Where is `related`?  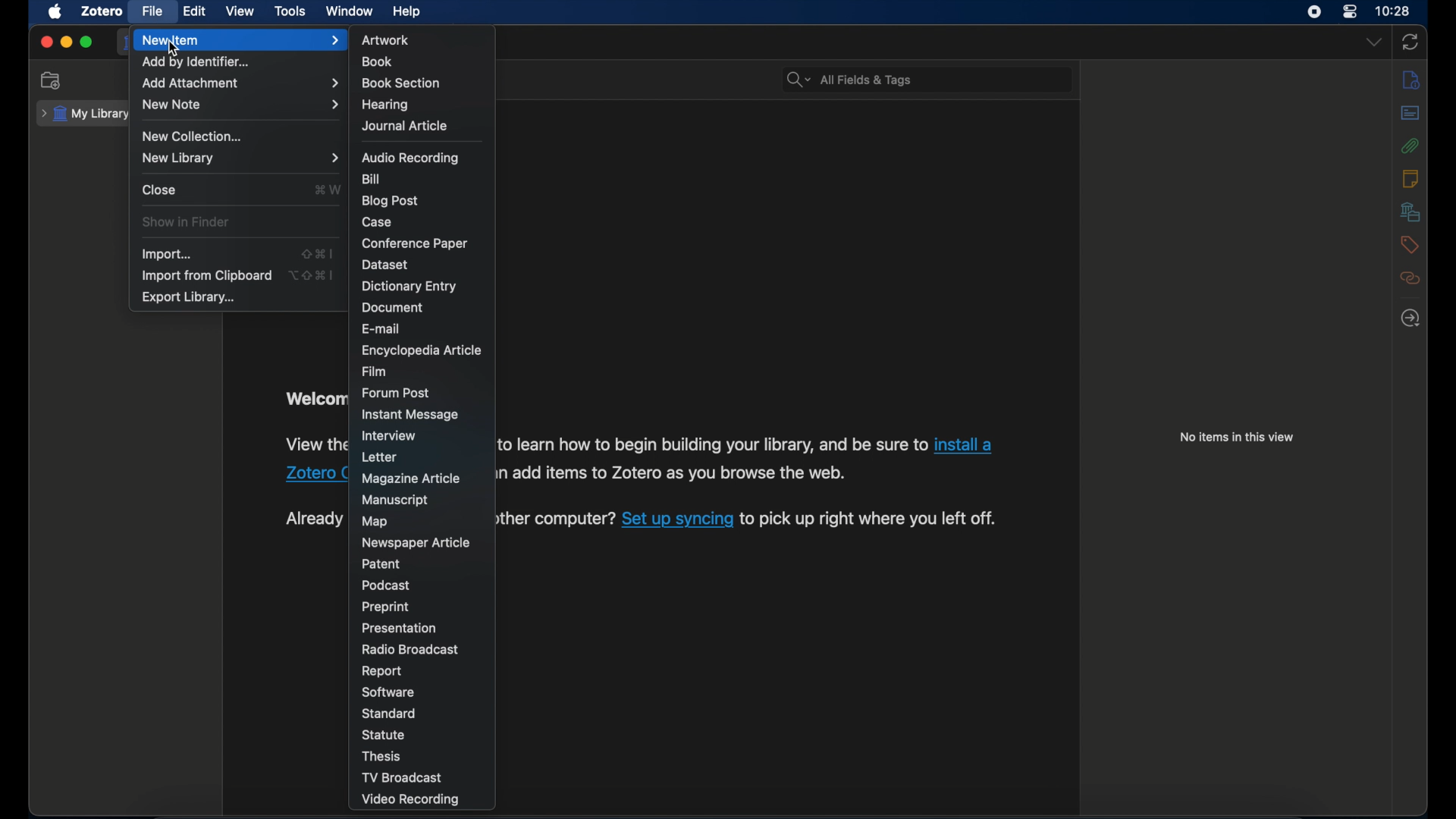
related is located at coordinates (1411, 278).